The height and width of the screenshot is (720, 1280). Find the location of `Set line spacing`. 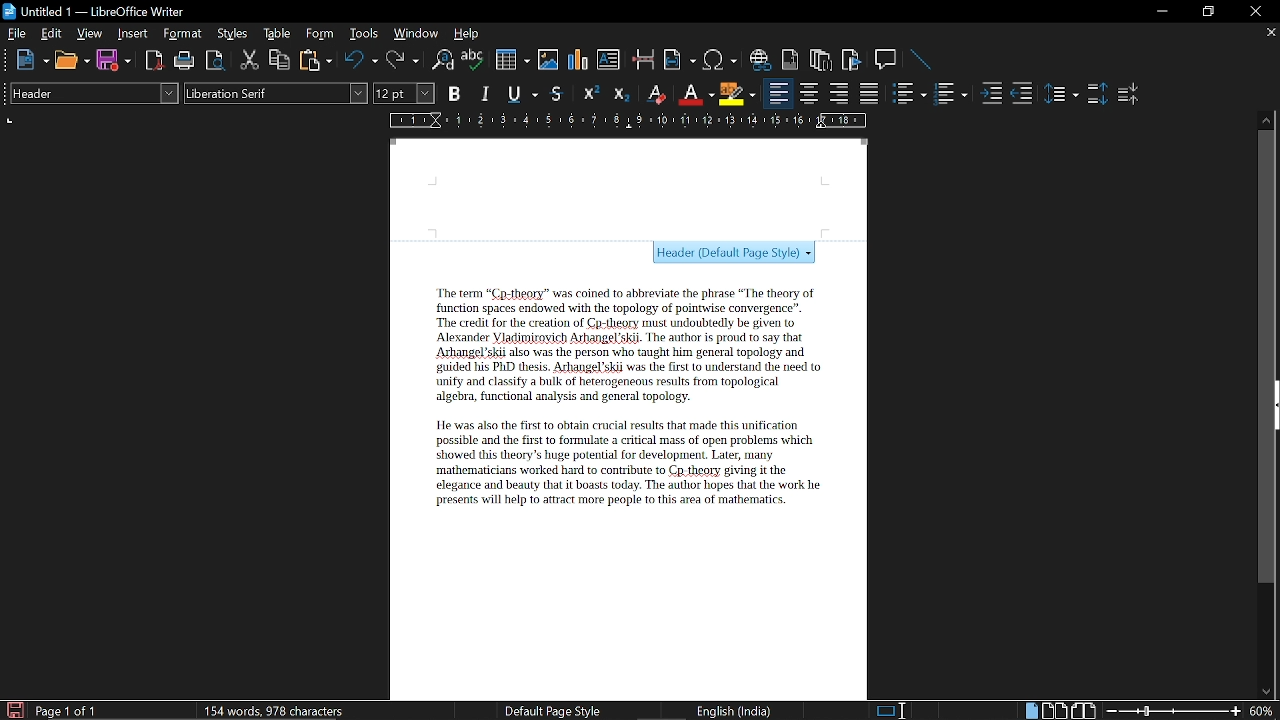

Set line spacing is located at coordinates (1060, 94).